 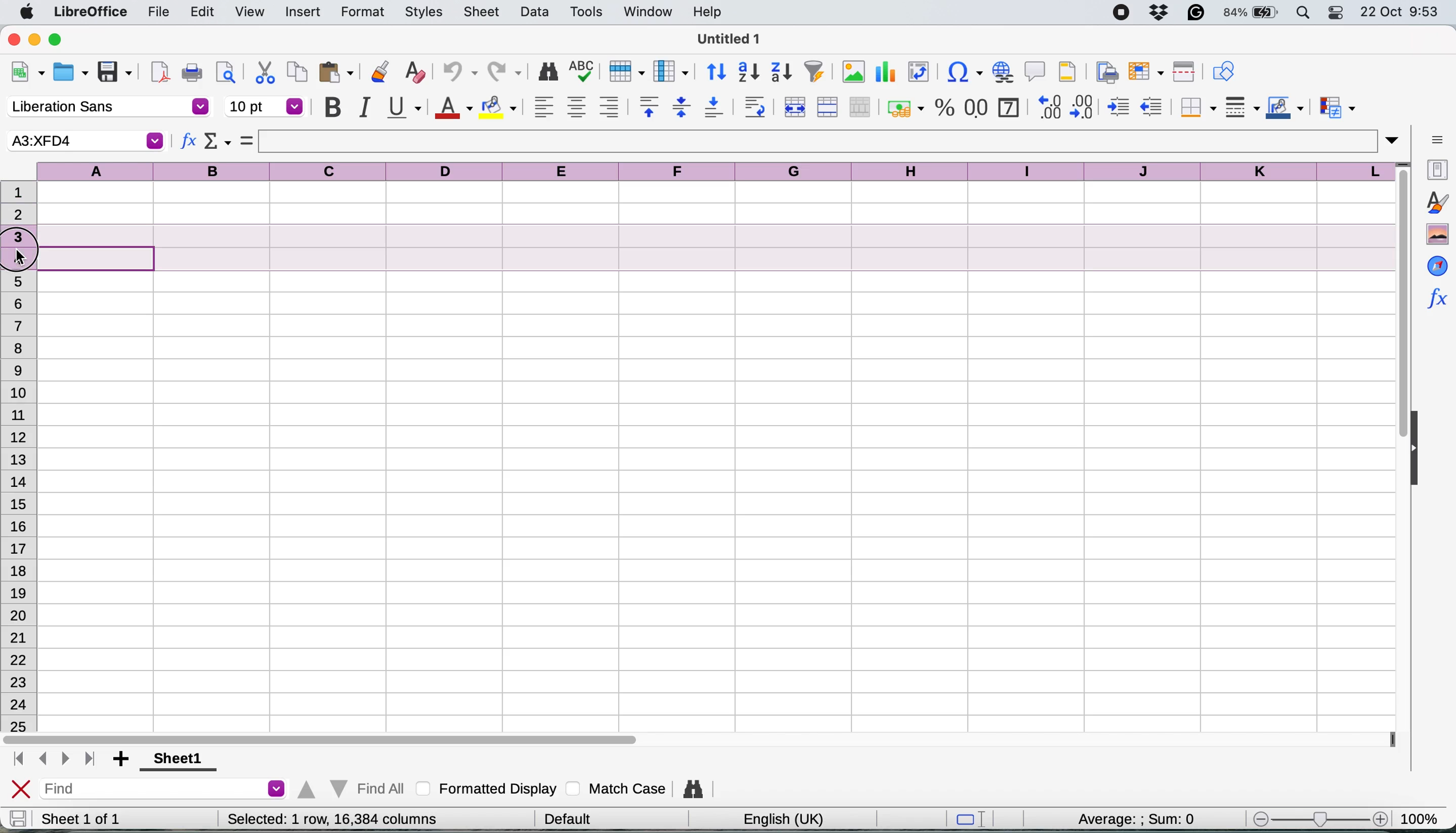 What do you see at coordinates (166, 790) in the screenshot?
I see `find` at bounding box center [166, 790].